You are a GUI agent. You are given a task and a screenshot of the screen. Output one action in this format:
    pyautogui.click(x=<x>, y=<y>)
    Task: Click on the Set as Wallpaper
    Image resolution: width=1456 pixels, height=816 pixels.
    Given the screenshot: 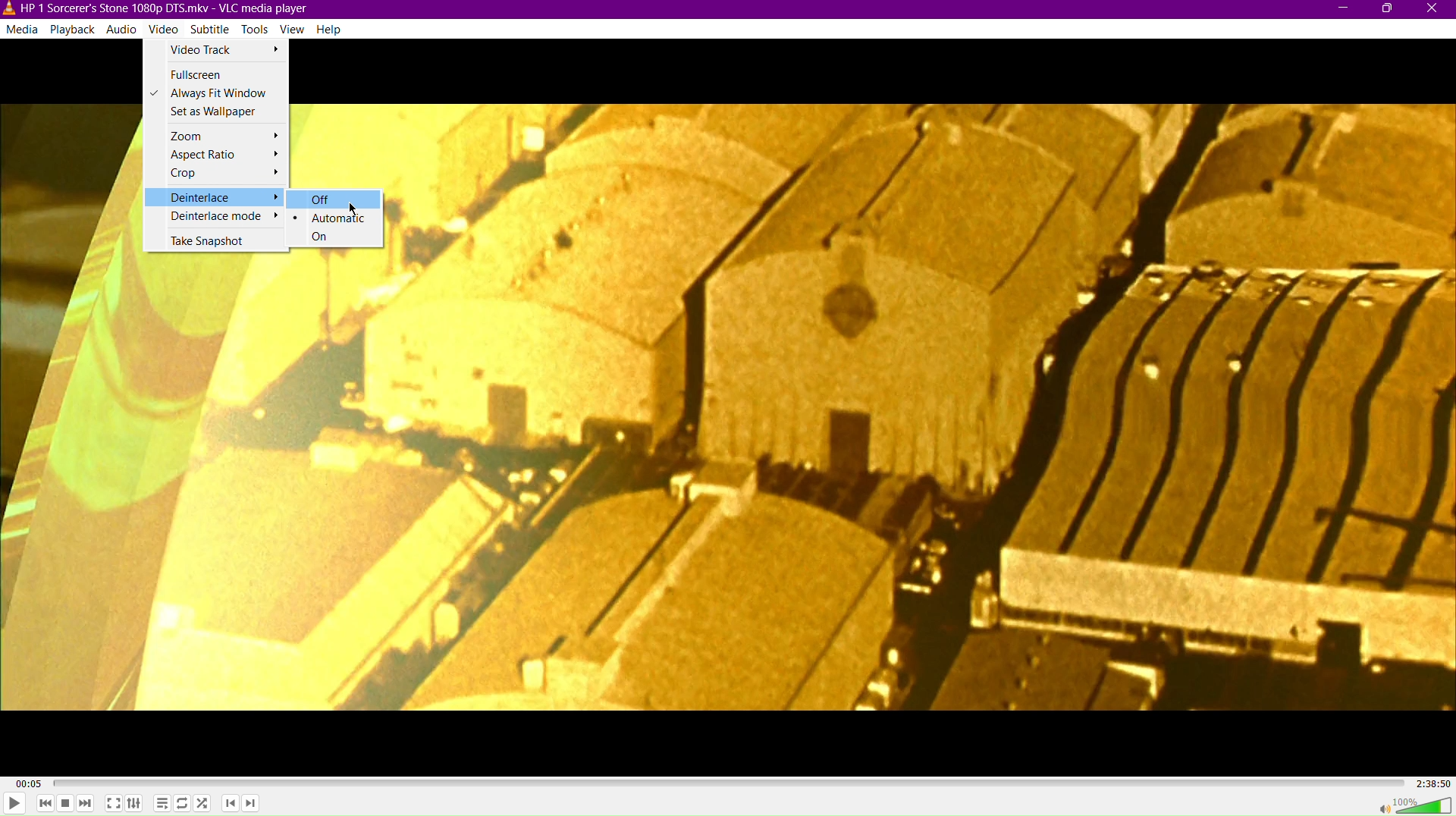 What is the action you would take?
    pyautogui.click(x=215, y=113)
    